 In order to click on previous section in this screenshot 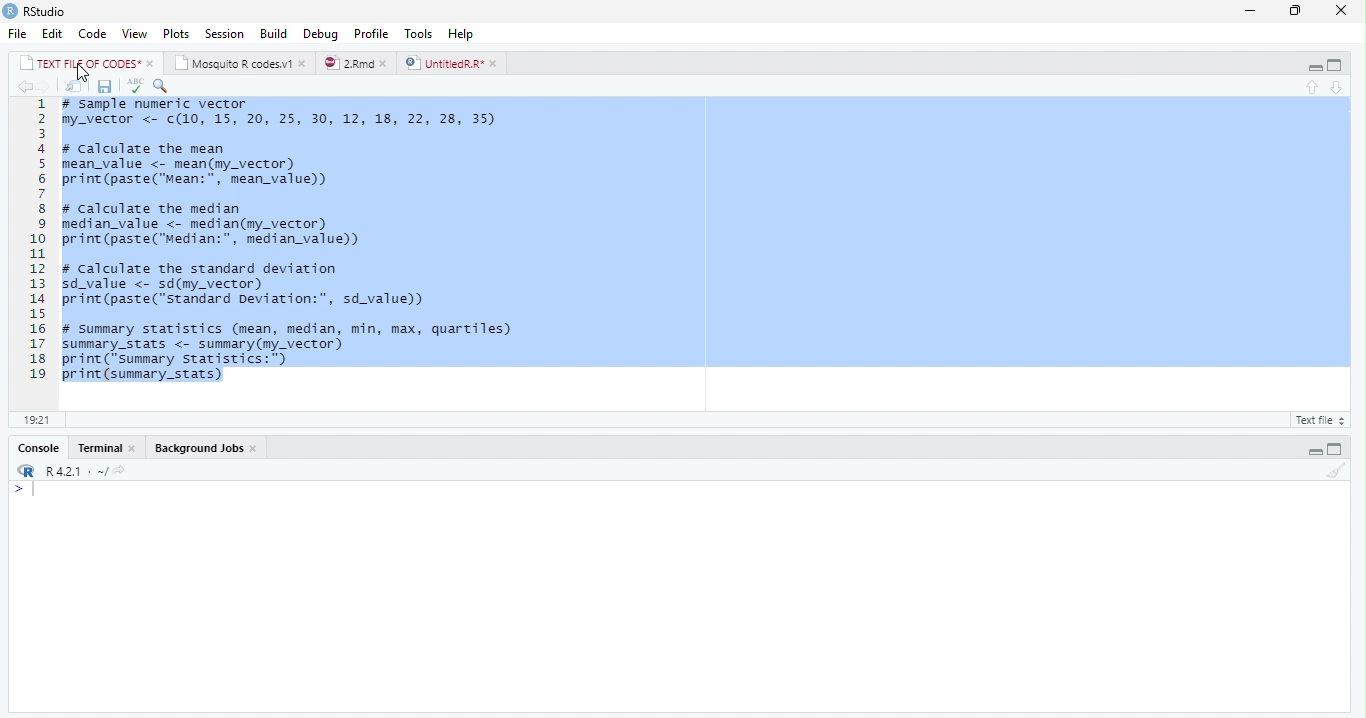, I will do `click(1314, 88)`.